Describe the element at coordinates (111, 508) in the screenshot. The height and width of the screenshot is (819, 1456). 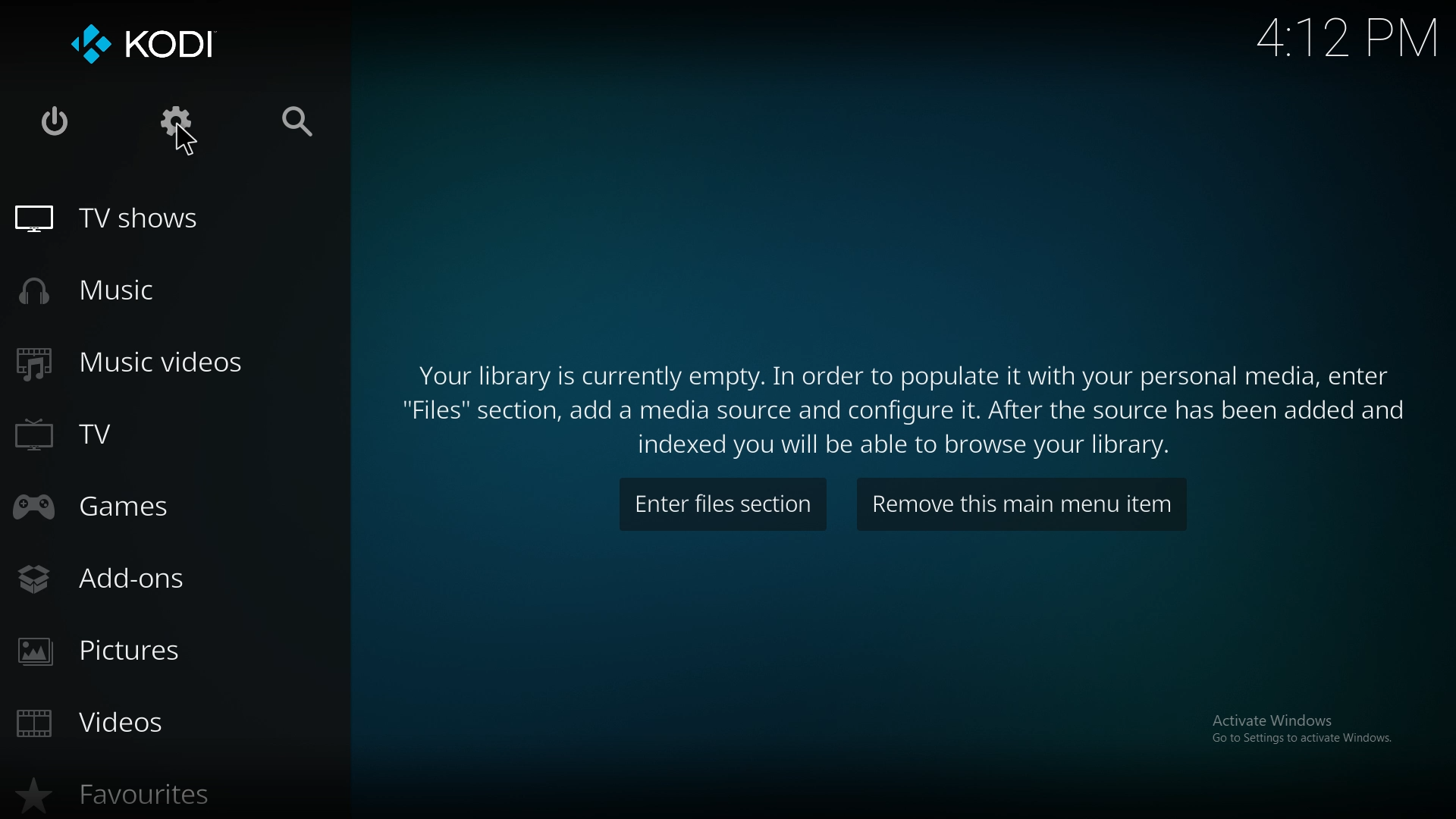
I see `games` at that location.